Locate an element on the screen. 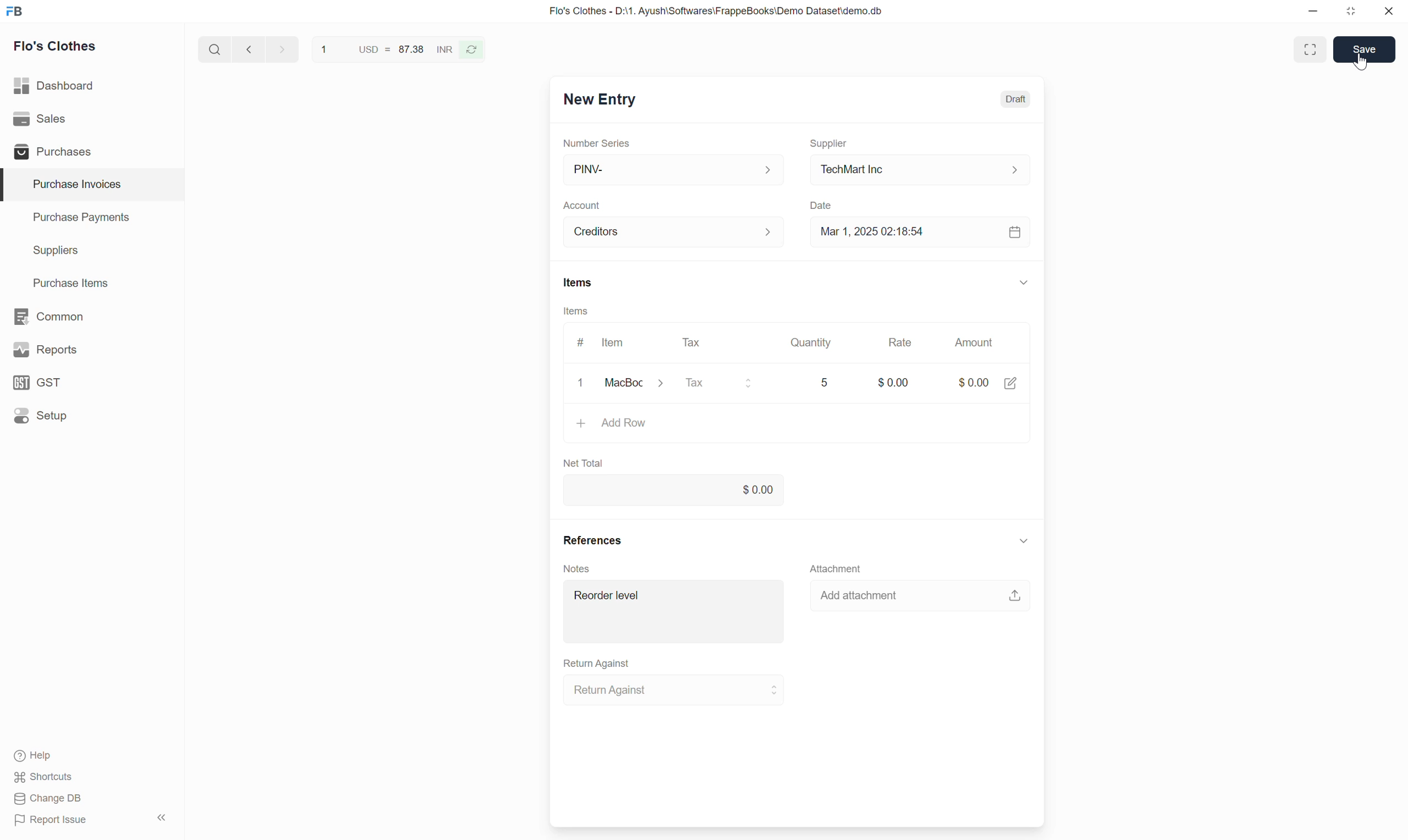 The height and width of the screenshot is (840, 1408). Date is located at coordinates (822, 206).